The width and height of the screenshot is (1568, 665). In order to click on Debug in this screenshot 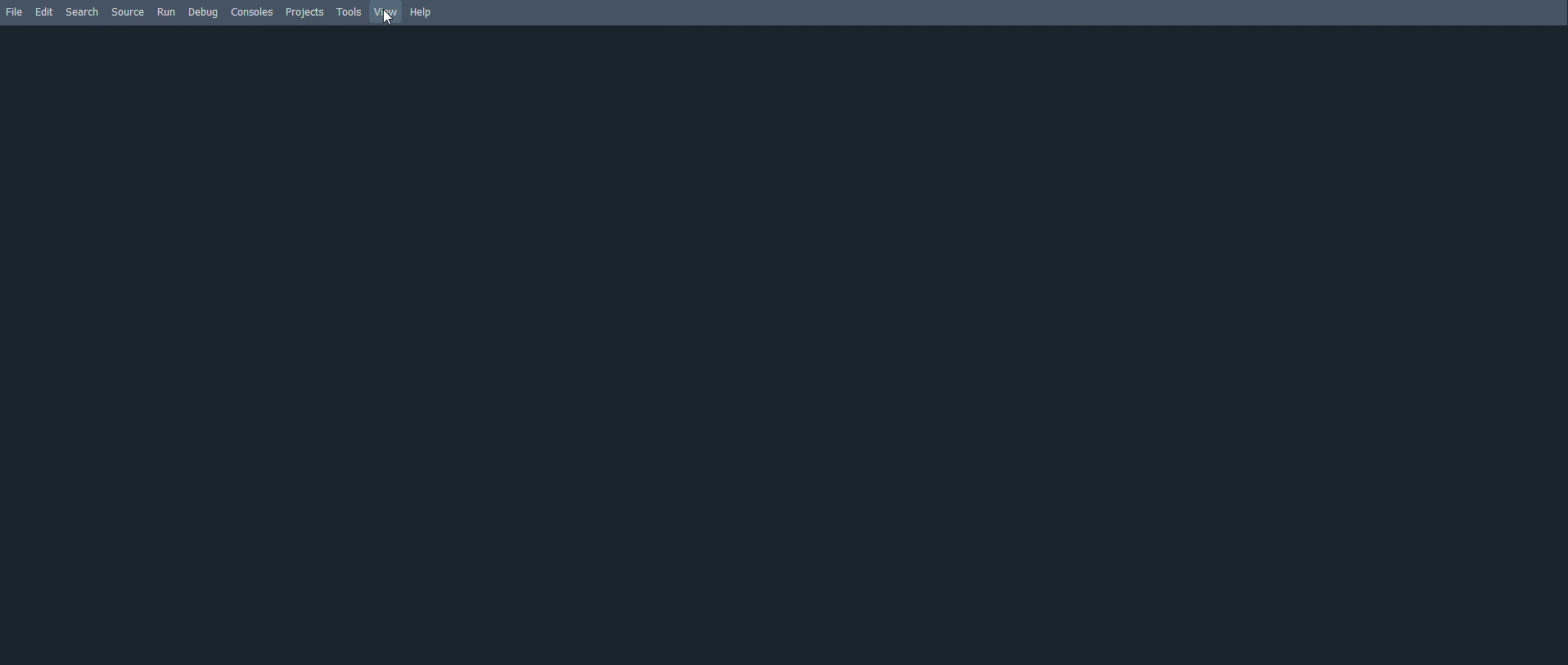, I will do `click(204, 14)`.